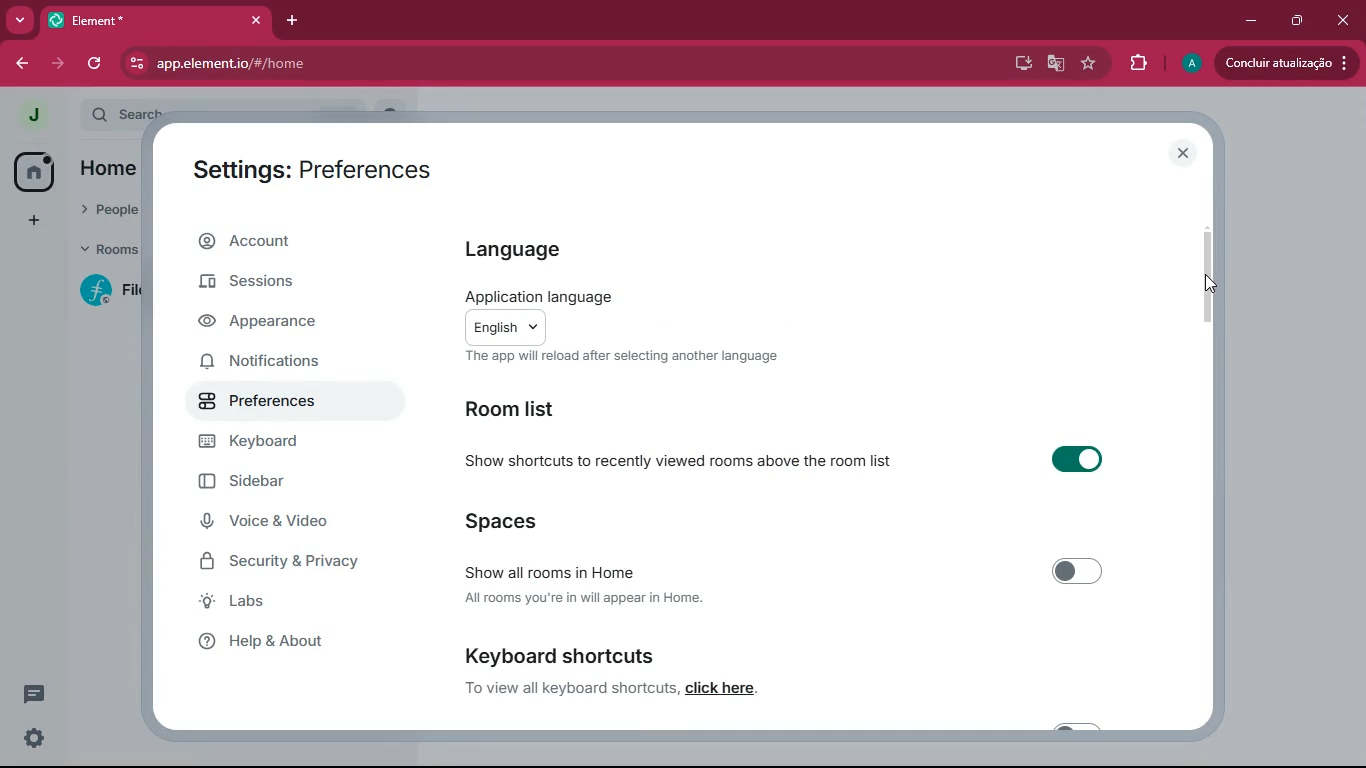  I want to click on forward, so click(60, 64).